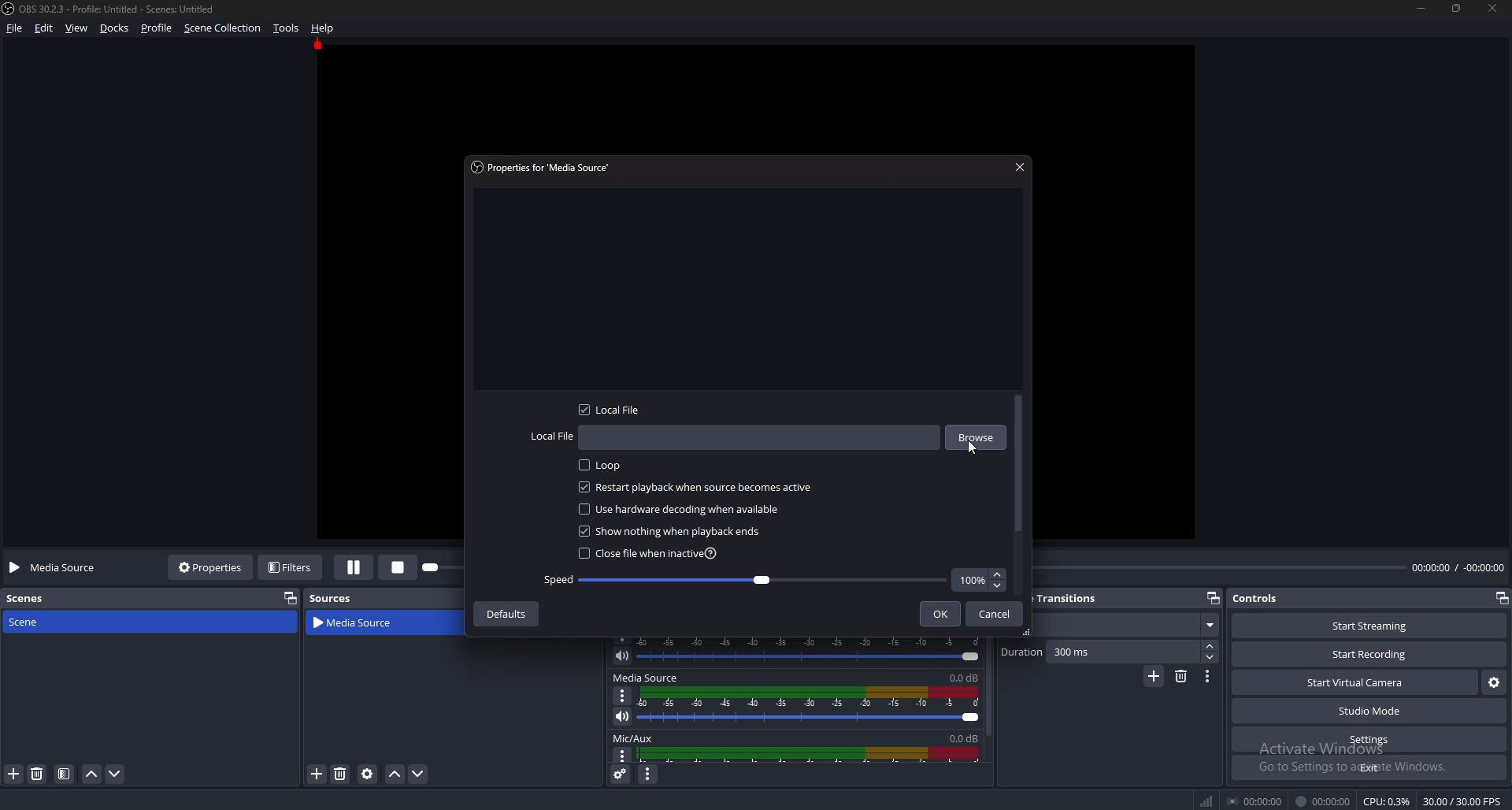  What do you see at coordinates (1074, 600) in the screenshot?
I see `Scene transitions` at bounding box center [1074, 600].